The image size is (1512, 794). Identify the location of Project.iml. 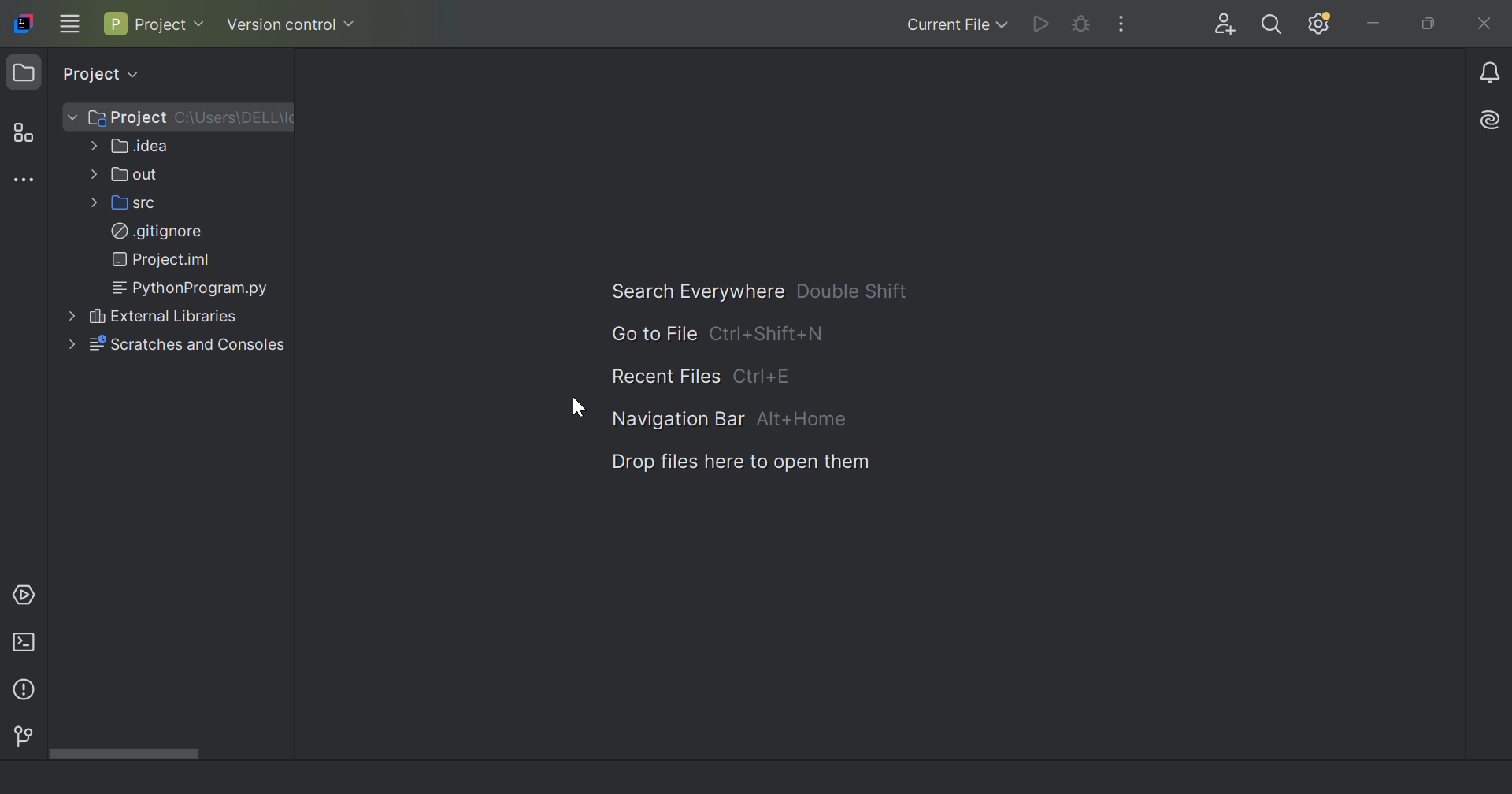
(164, 258).